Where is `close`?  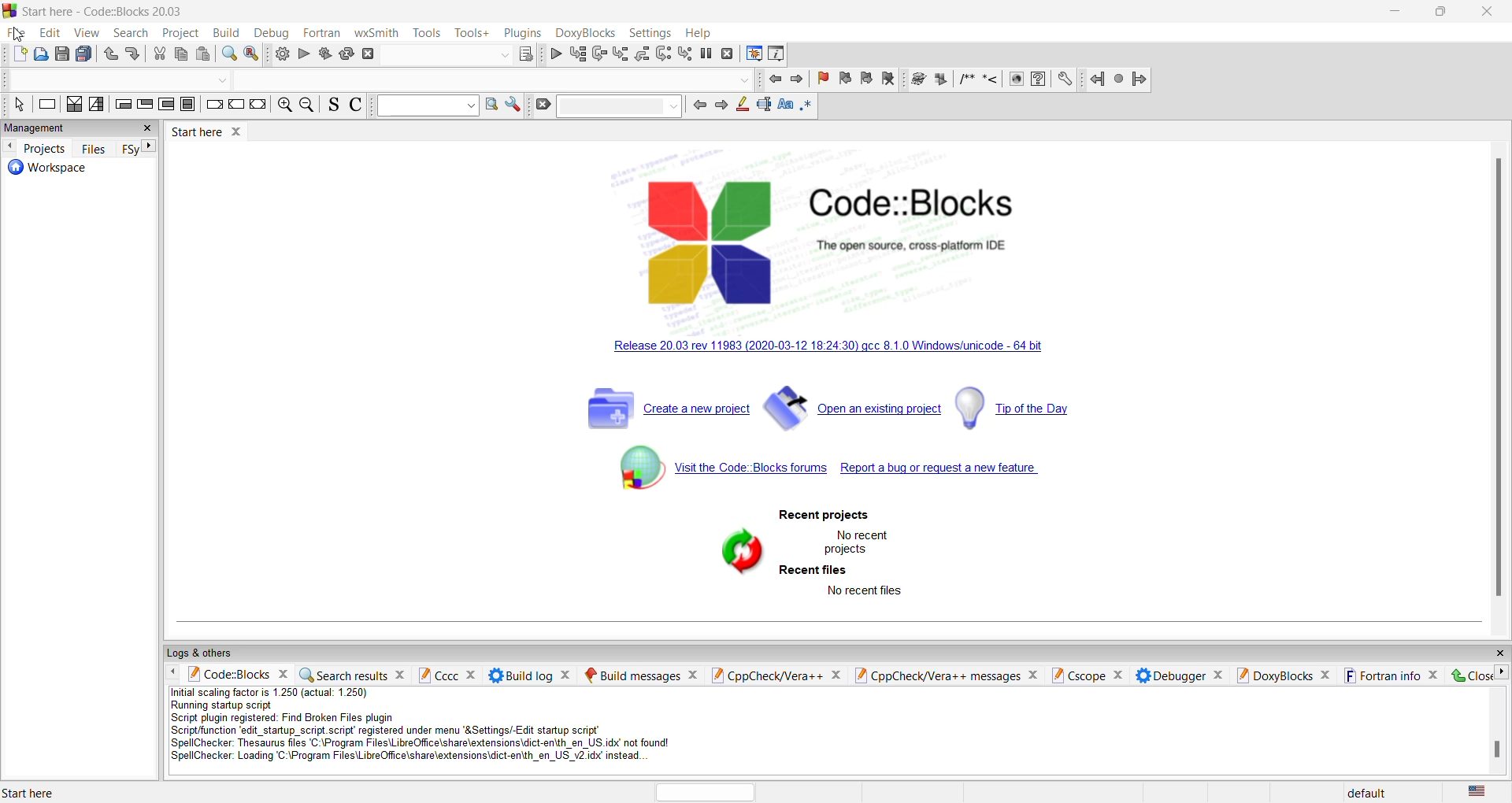 close is located at coordinates (1033, 676).